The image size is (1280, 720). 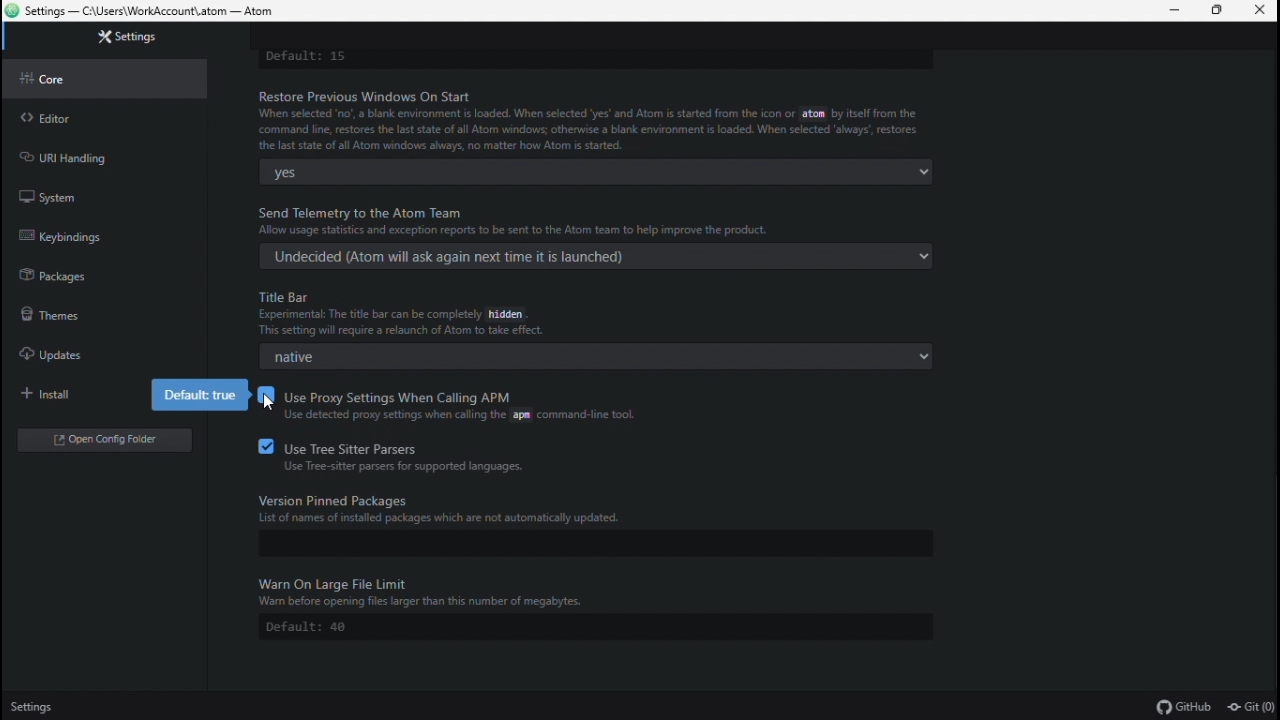 What do you see at coordinates (606, 589) in the screenshot?
I see `warn on large file limit` at bounding box center [606, 589].